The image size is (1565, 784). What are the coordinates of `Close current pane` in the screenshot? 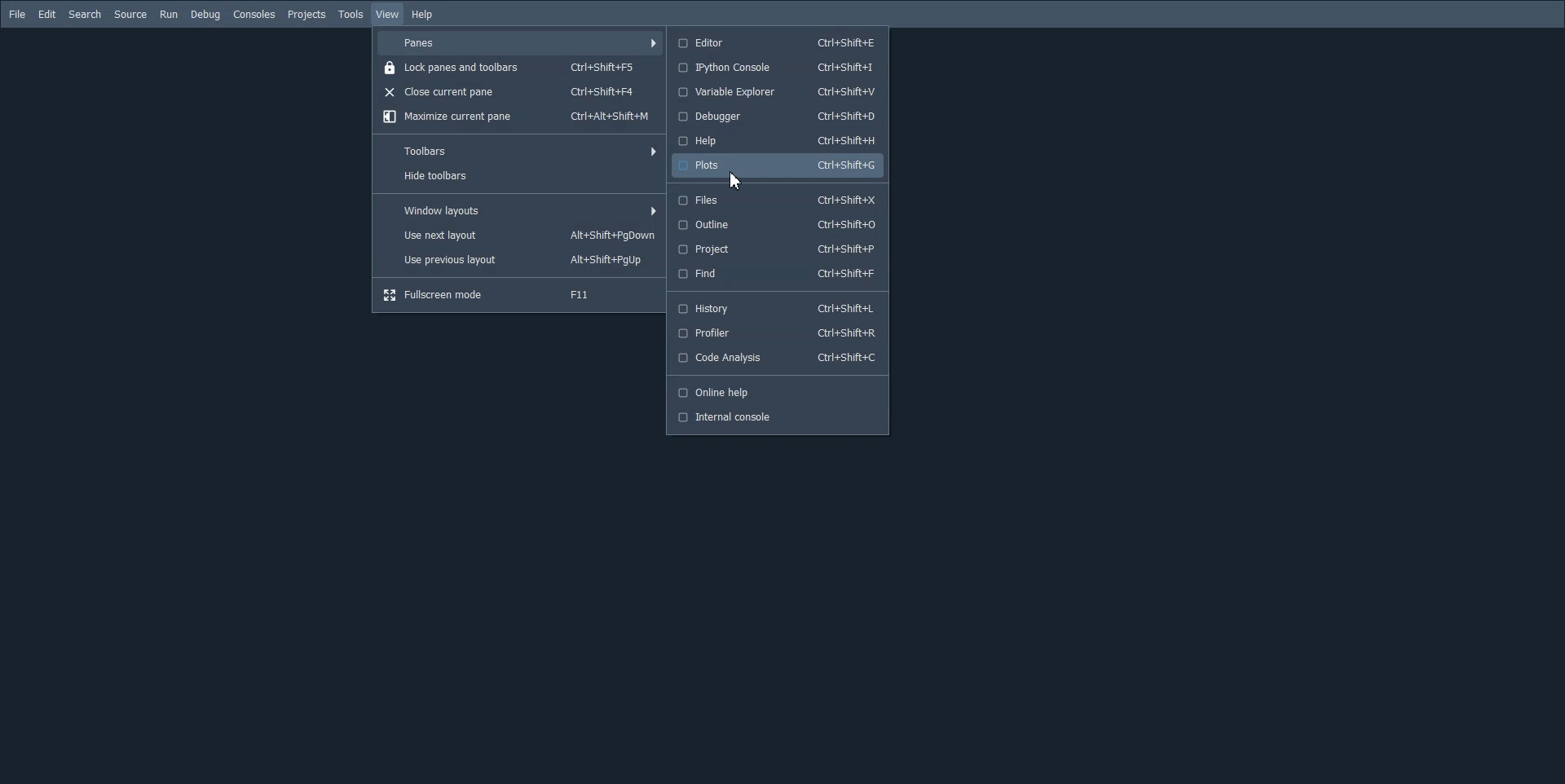 It's located at (518, 91).